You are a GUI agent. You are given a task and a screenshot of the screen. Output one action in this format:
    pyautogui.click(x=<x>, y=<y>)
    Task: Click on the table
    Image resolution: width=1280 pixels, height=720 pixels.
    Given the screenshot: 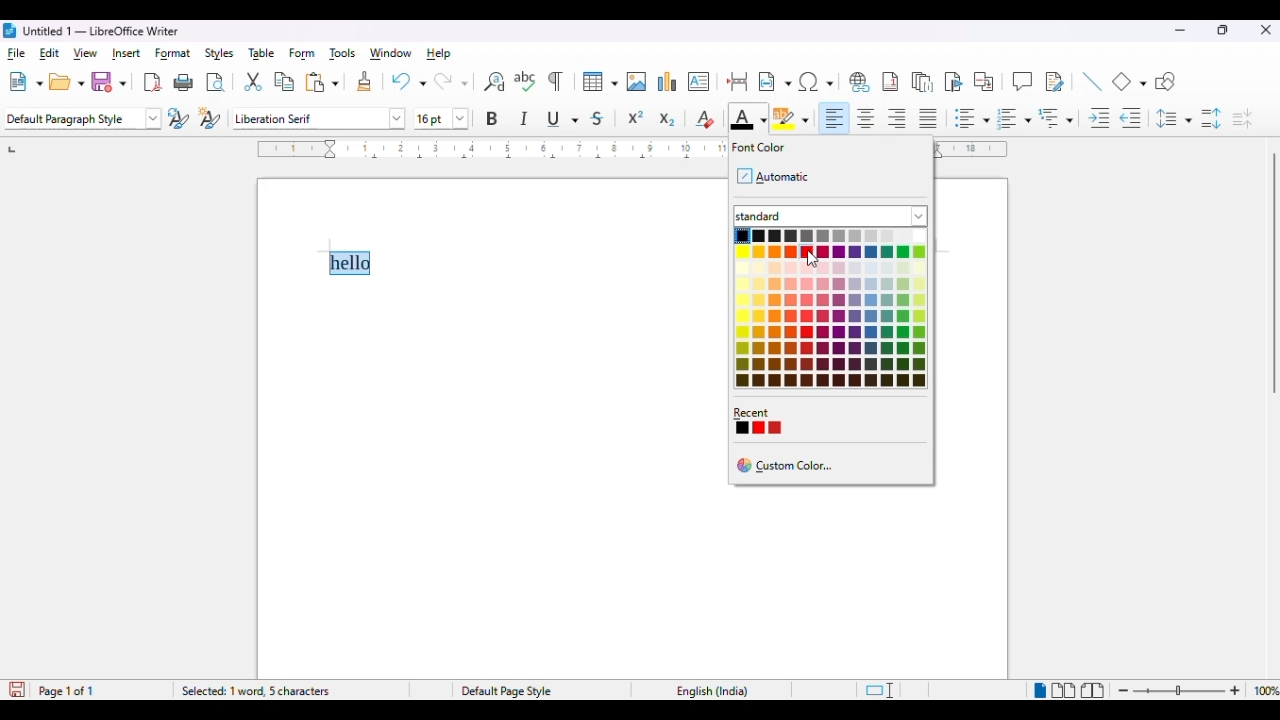 What is the action you would take?
    pyautogui.click(x=263, y=53)
    